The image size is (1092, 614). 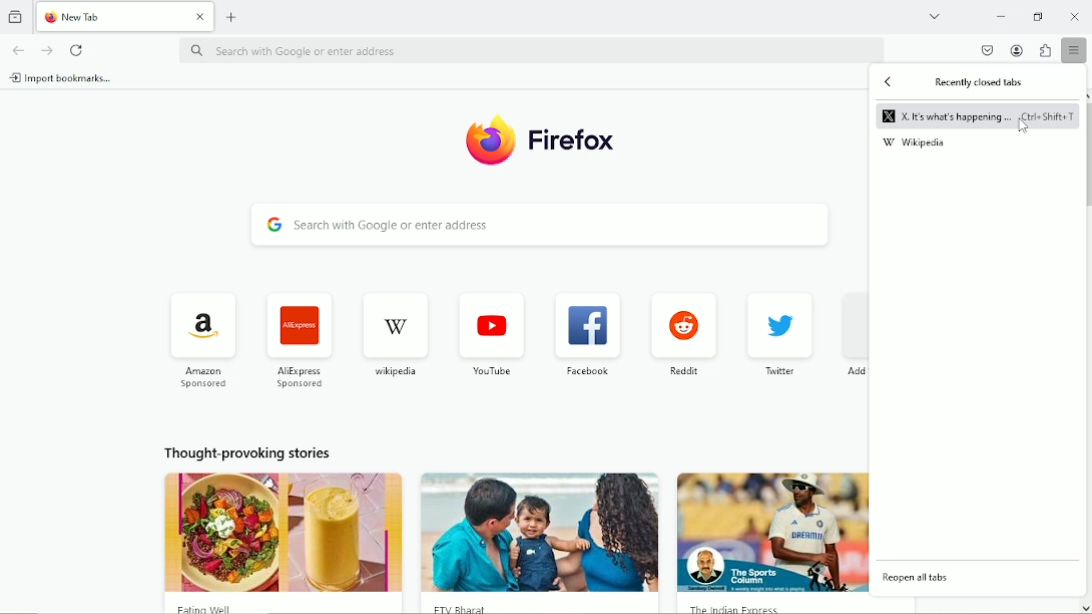 I want to click on search with Google or enter address, so click(x=539, y=229).